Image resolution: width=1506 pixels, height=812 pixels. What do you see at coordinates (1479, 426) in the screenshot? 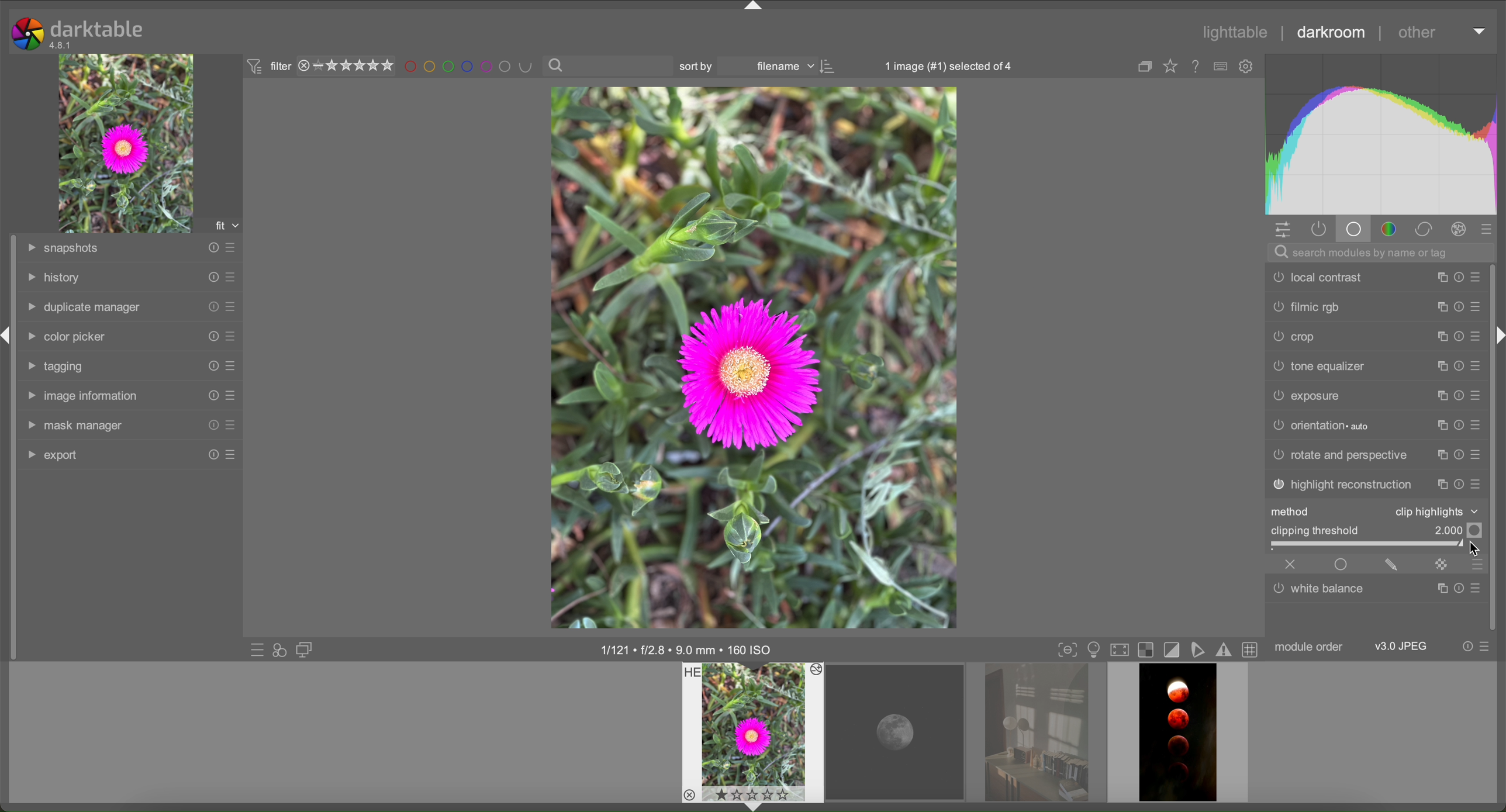
I see `presets` at bounding box center [1479, 426].